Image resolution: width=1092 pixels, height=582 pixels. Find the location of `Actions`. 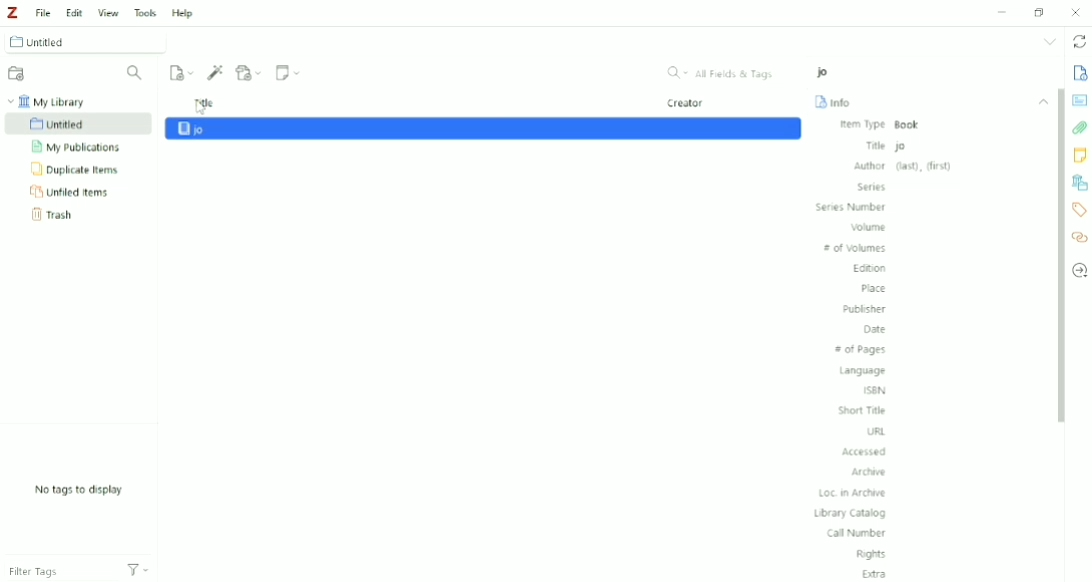

Actions is located at coordinates (145, 569).